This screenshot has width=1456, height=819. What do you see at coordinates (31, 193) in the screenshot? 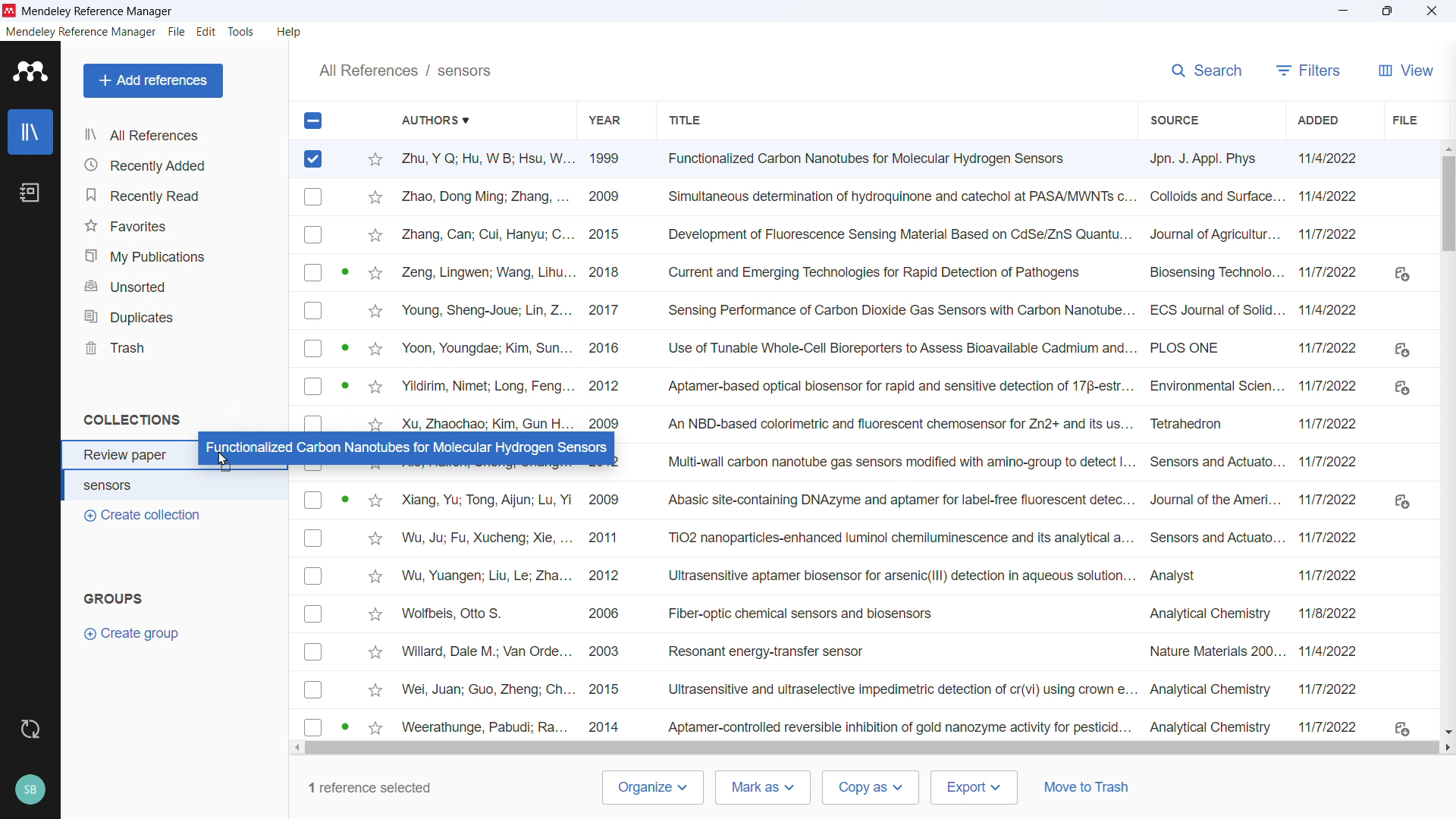
I see `Notebook ` at bounding box center [31, 193].